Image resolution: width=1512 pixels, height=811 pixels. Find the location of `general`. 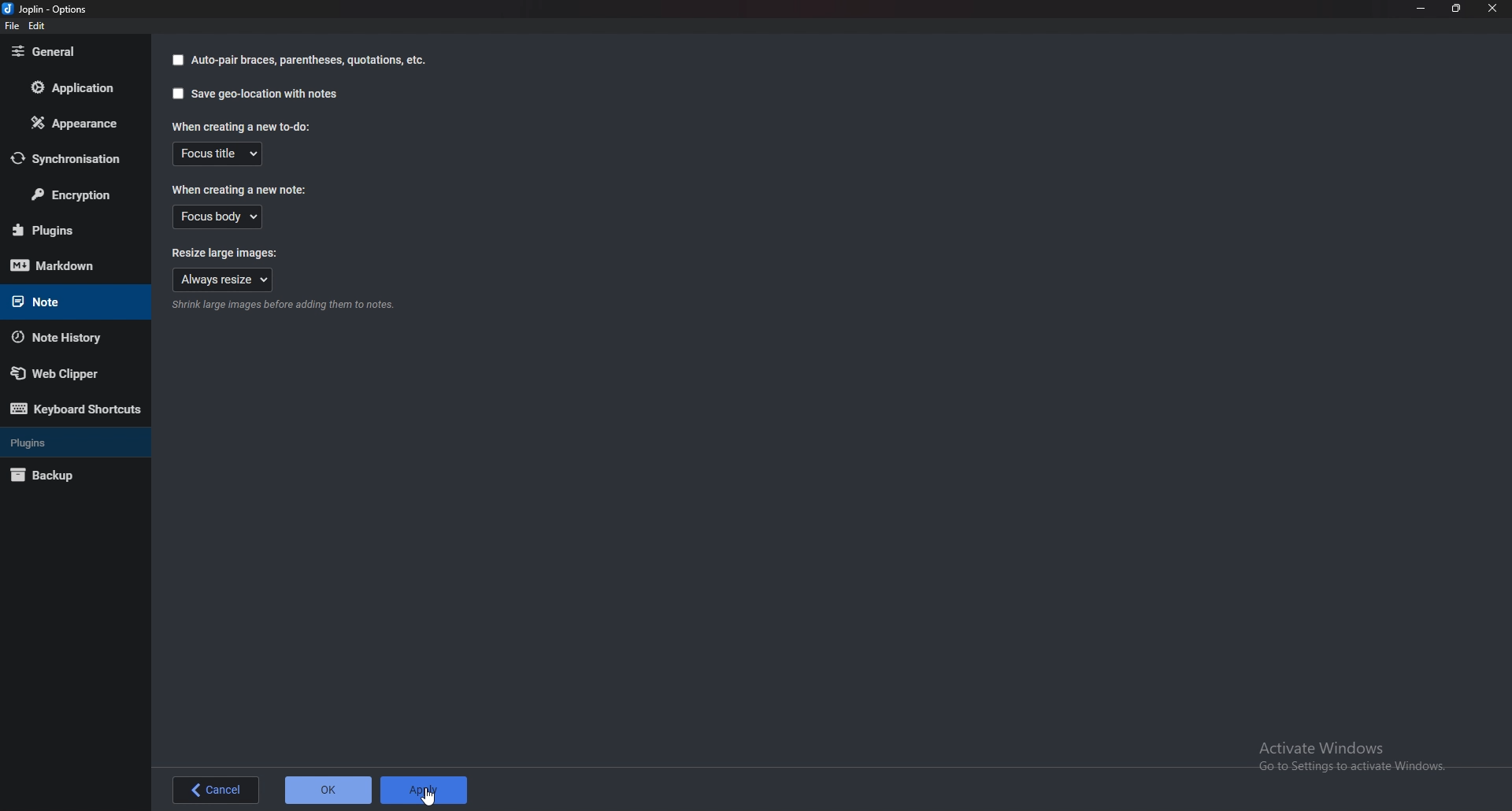

general is located at coordinates (69, 53).